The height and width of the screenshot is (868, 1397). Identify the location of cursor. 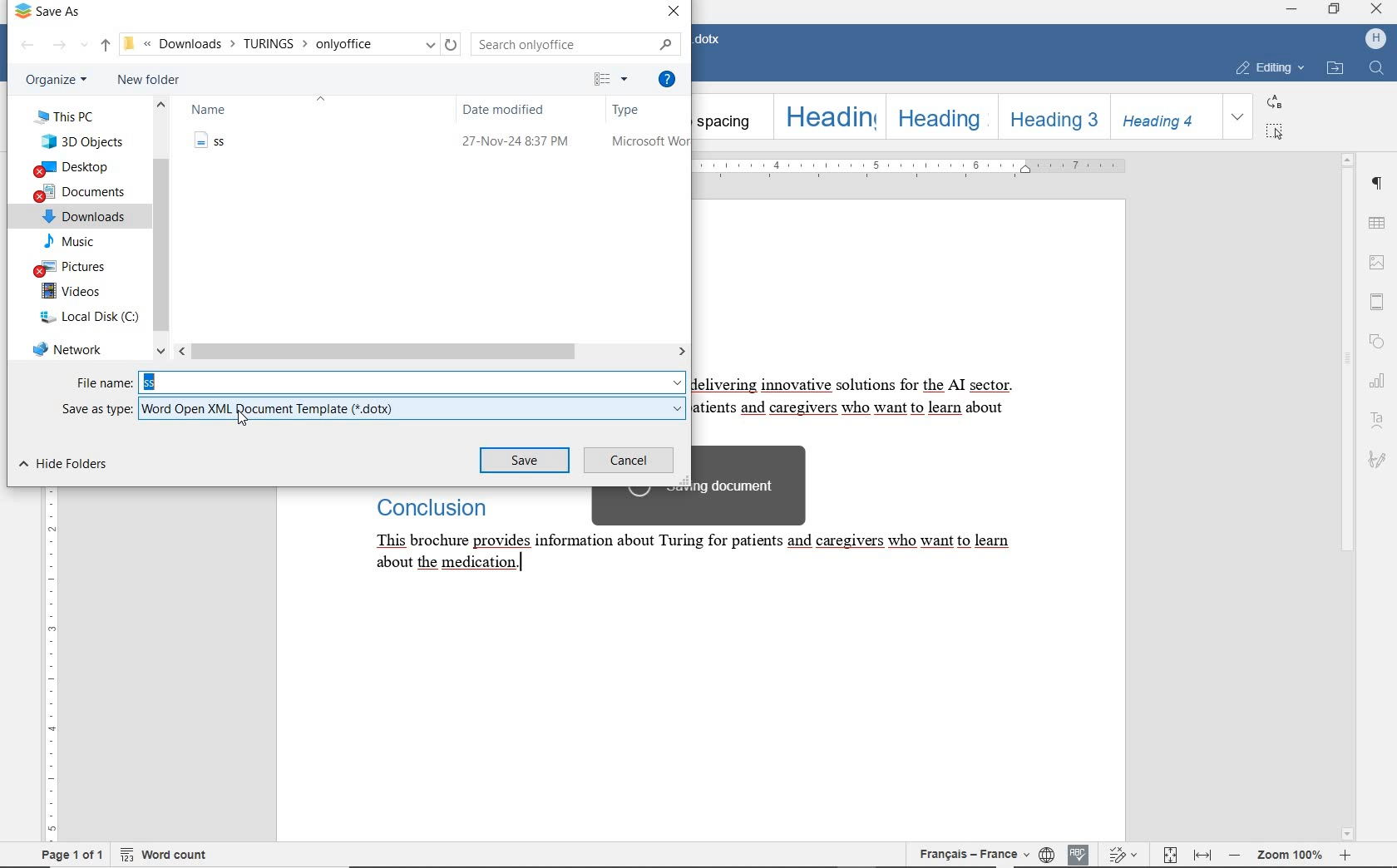
(243, 420).